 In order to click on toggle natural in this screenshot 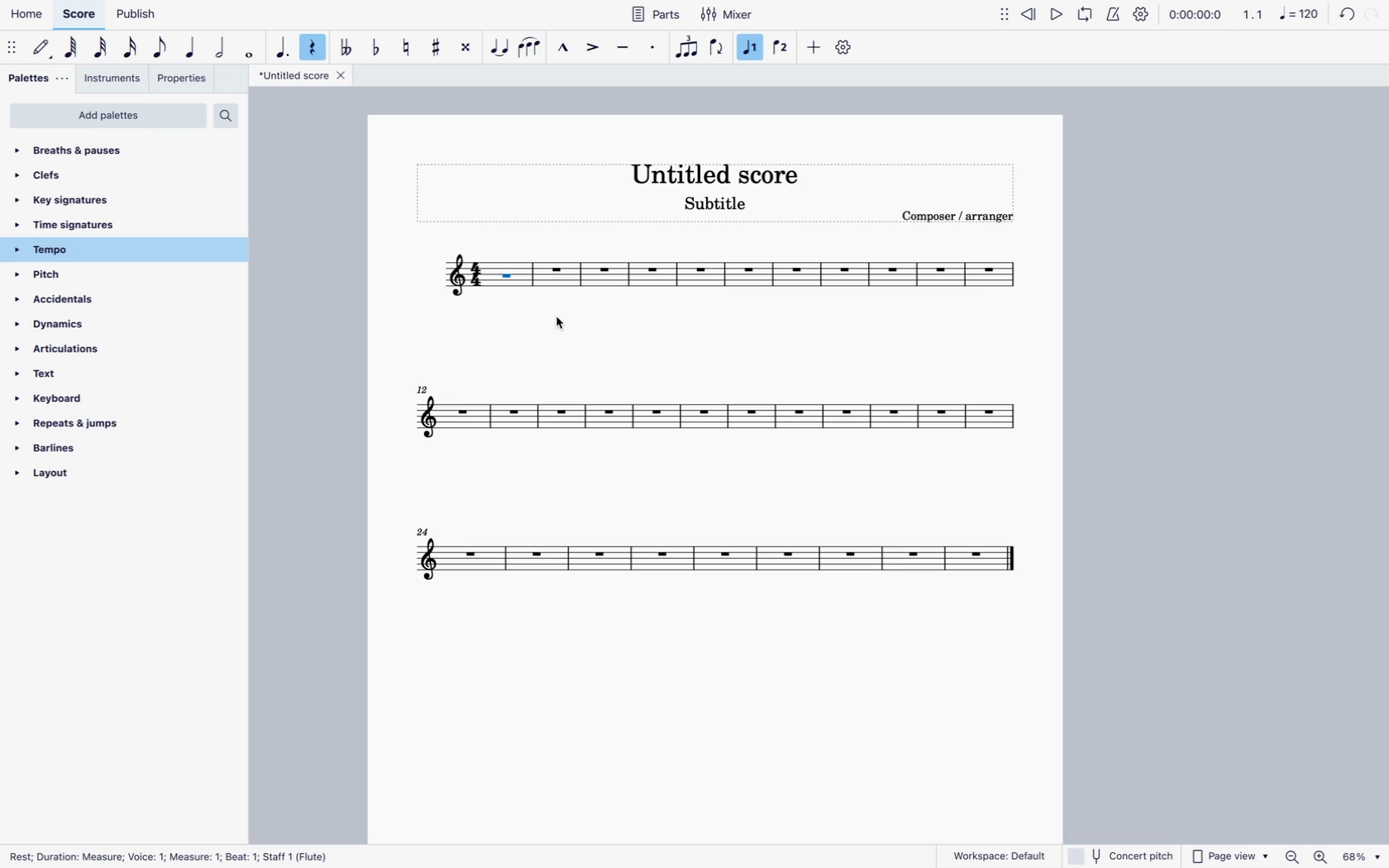, I will do `click(408, 46)`.